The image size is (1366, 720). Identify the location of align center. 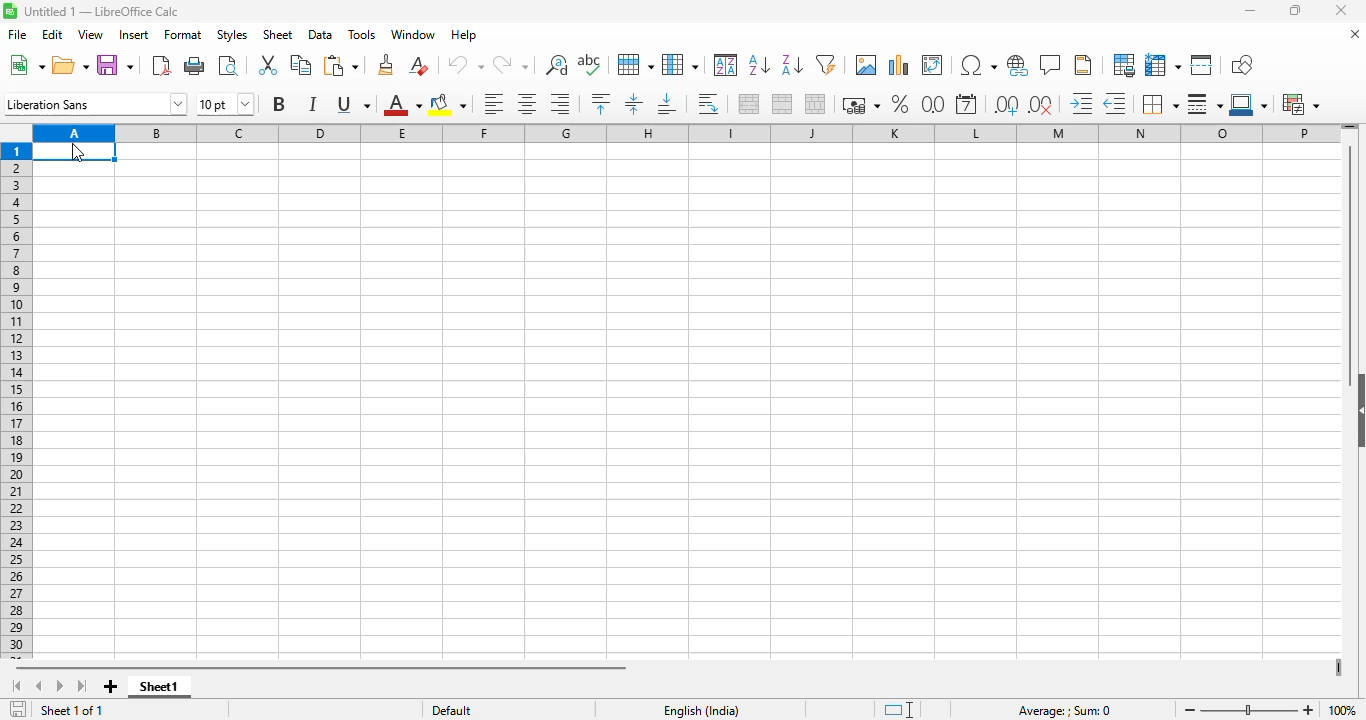
(527, 105).